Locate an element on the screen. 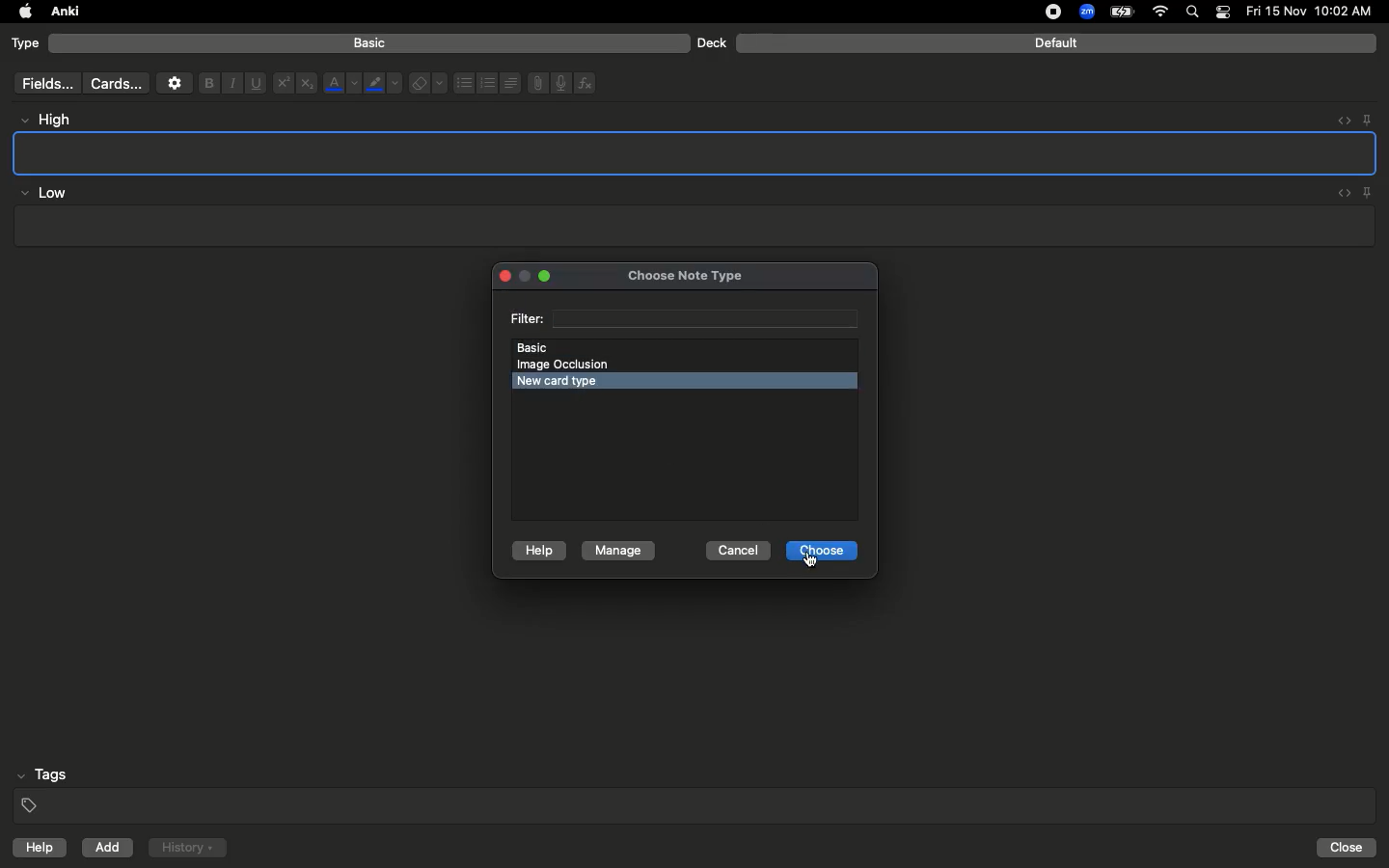  Low is located at coordinates (44, 194).